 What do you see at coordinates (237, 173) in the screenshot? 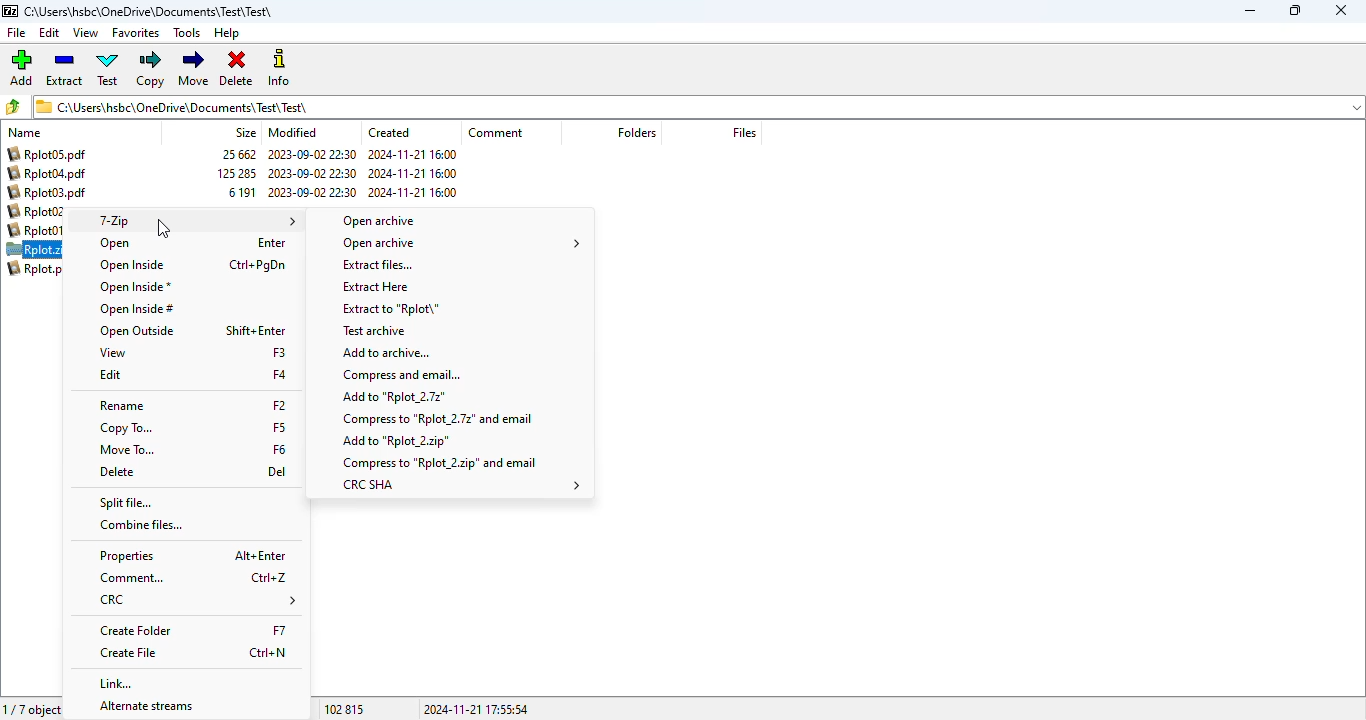
I see `125 285` at bounding box center [237, 173].